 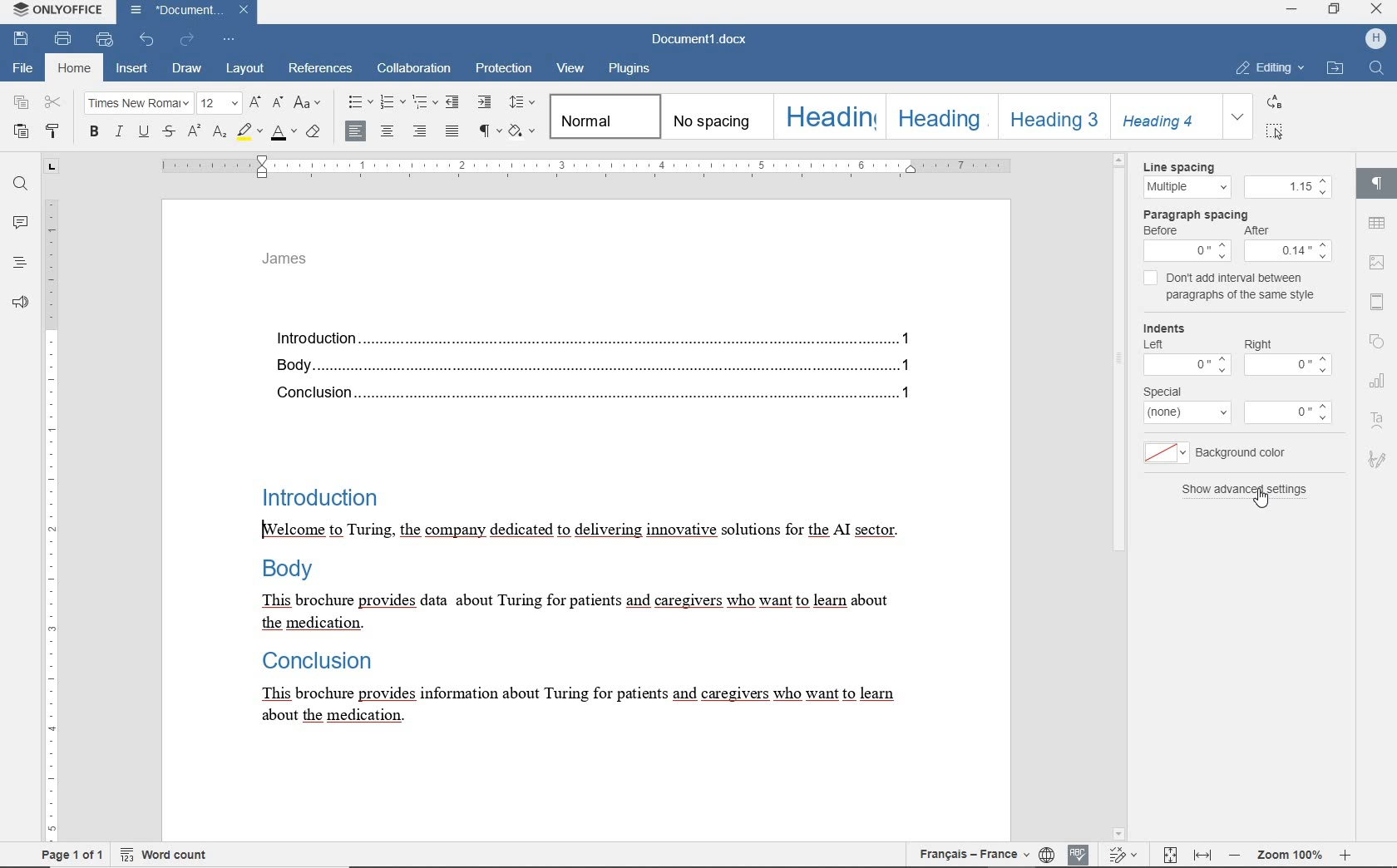 What do you see at coordinates (64, 39) in the screenshot?
I see `print` at bounding box center [64, 39].